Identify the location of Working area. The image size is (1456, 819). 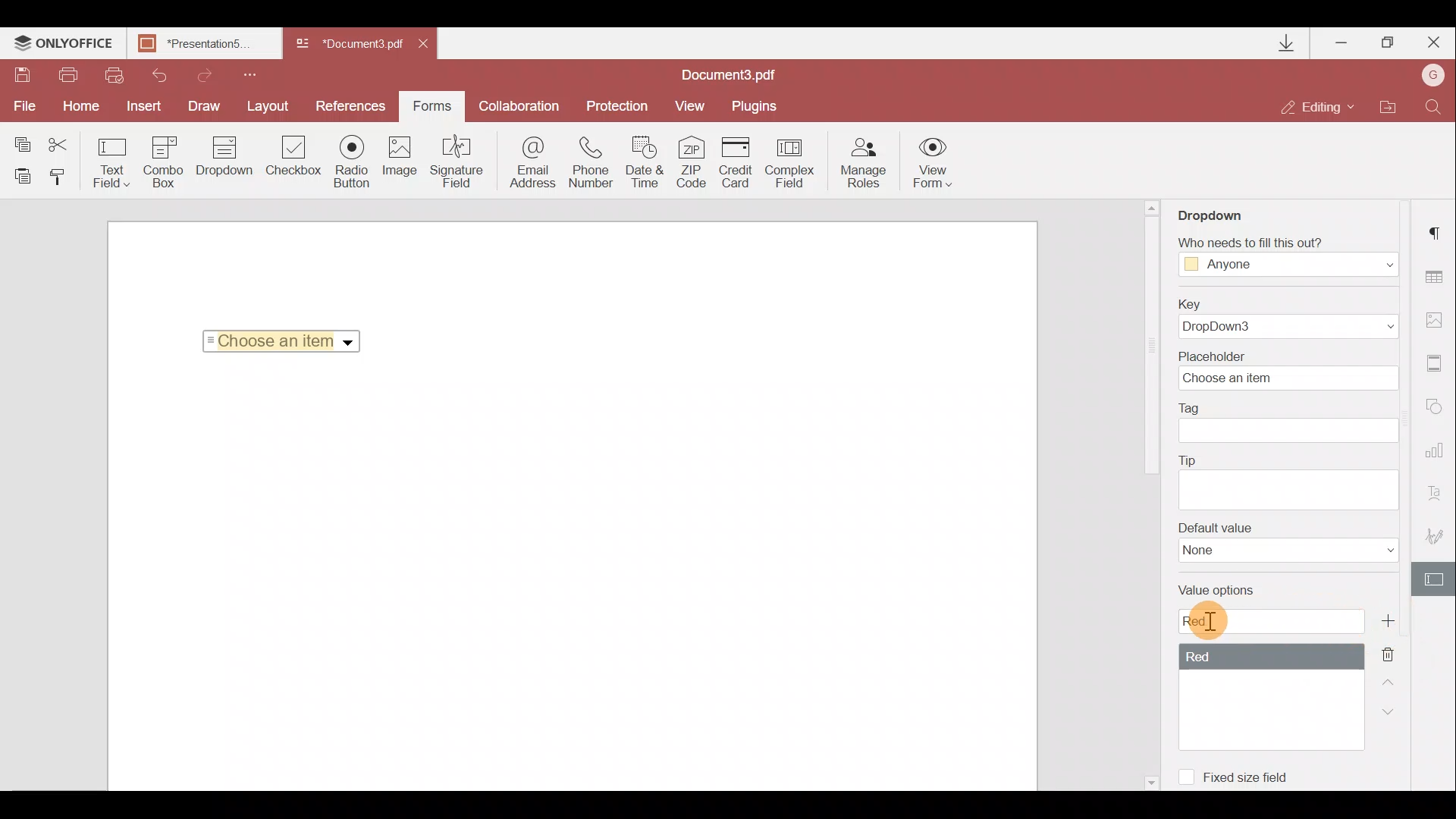
(570, 579).